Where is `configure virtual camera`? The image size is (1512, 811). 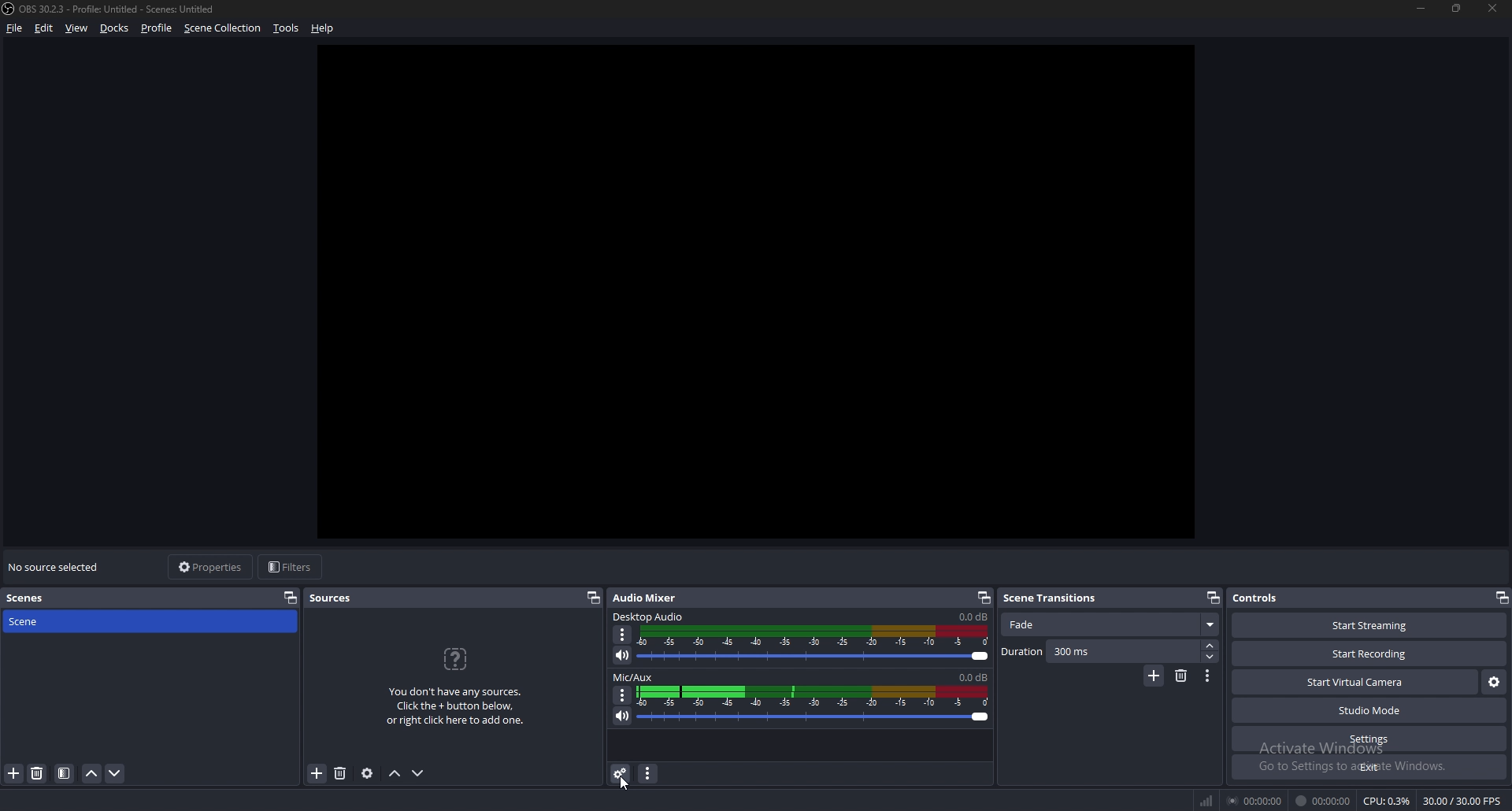 configure virtual camera is located at coordinates (1493, 683).